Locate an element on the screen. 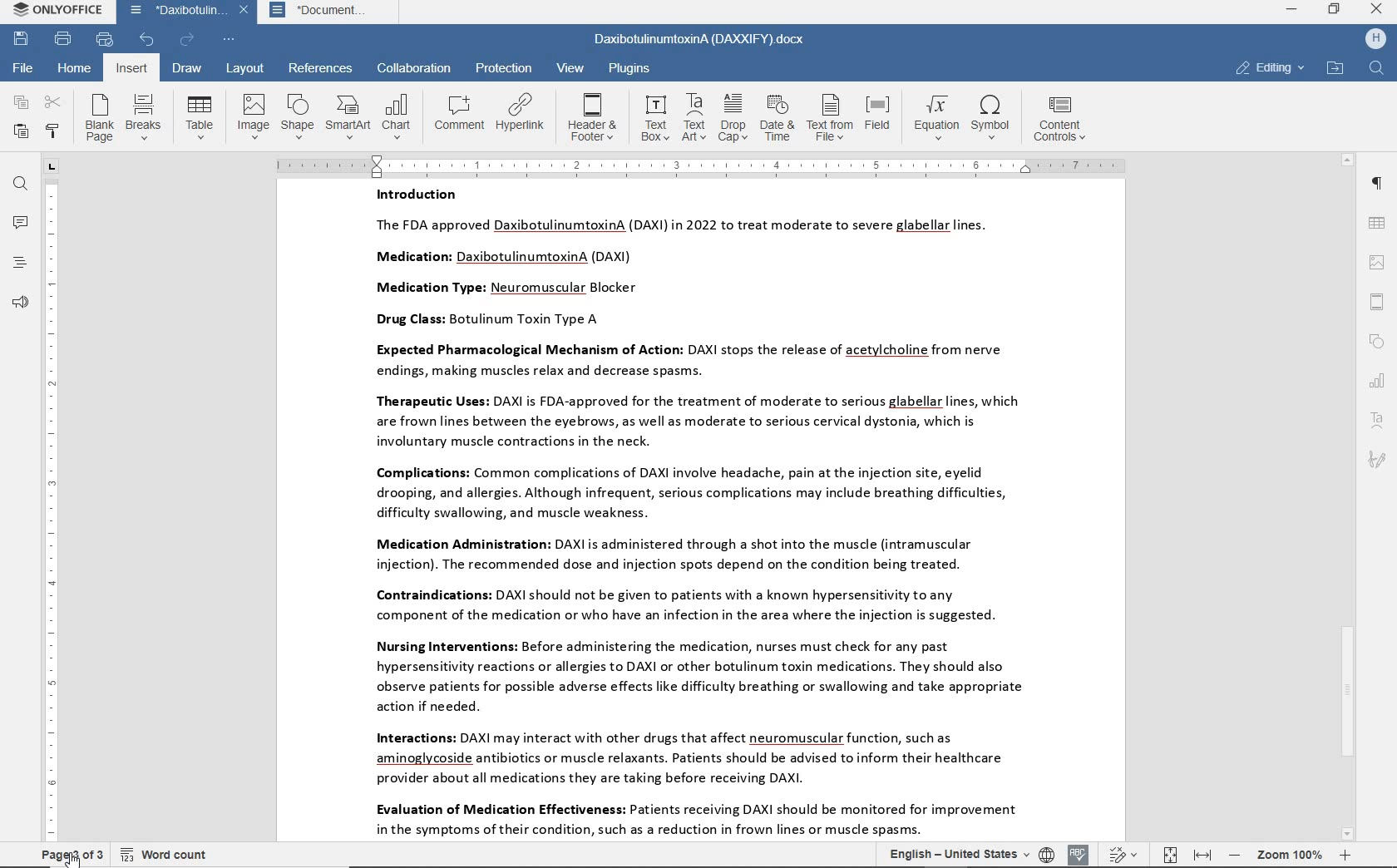 The height and width of the screenshot is (868, 1397). tab group is located at coordinates (51, 167).